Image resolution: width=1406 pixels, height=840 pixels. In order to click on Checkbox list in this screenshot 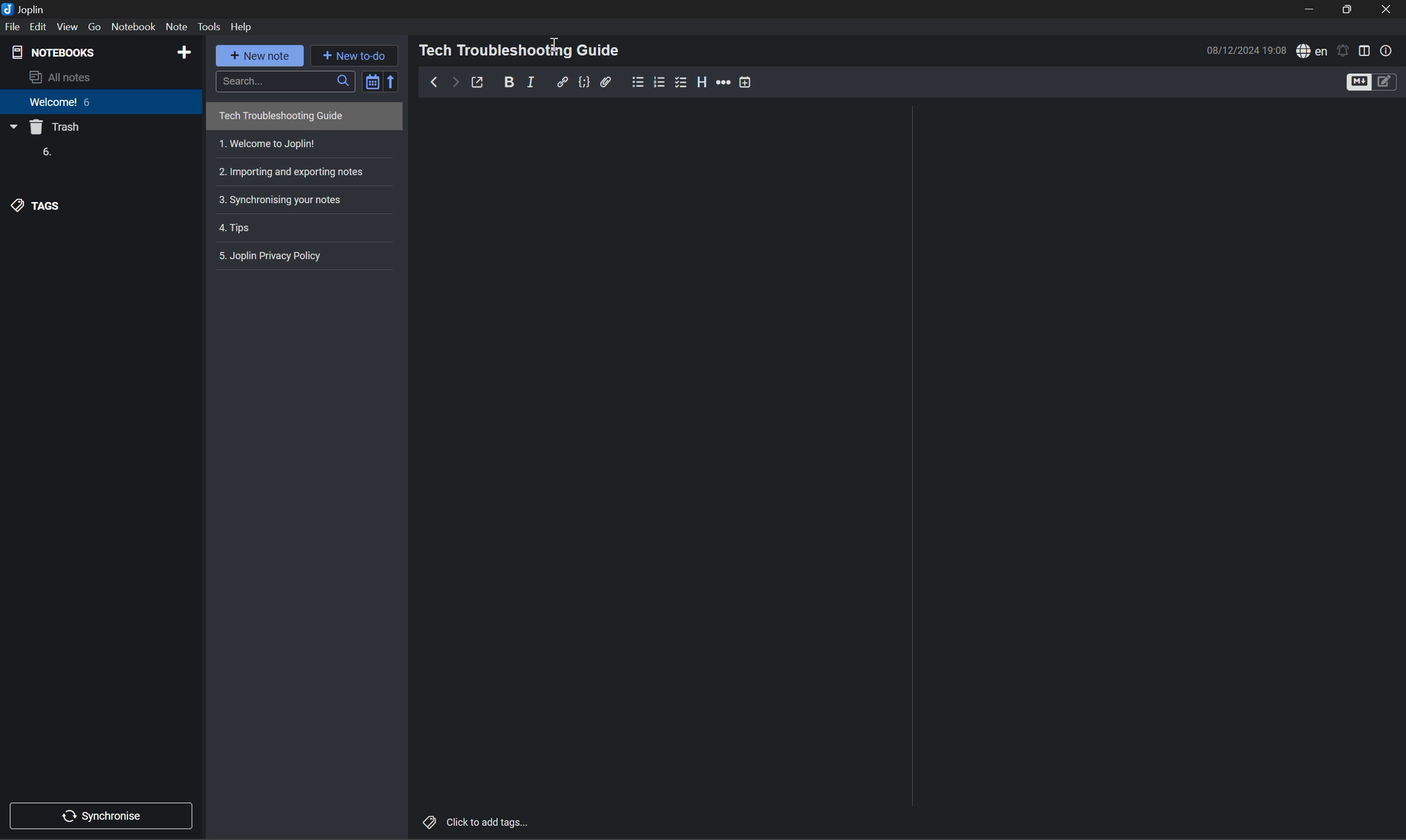, I will do `click(680, 82)`.